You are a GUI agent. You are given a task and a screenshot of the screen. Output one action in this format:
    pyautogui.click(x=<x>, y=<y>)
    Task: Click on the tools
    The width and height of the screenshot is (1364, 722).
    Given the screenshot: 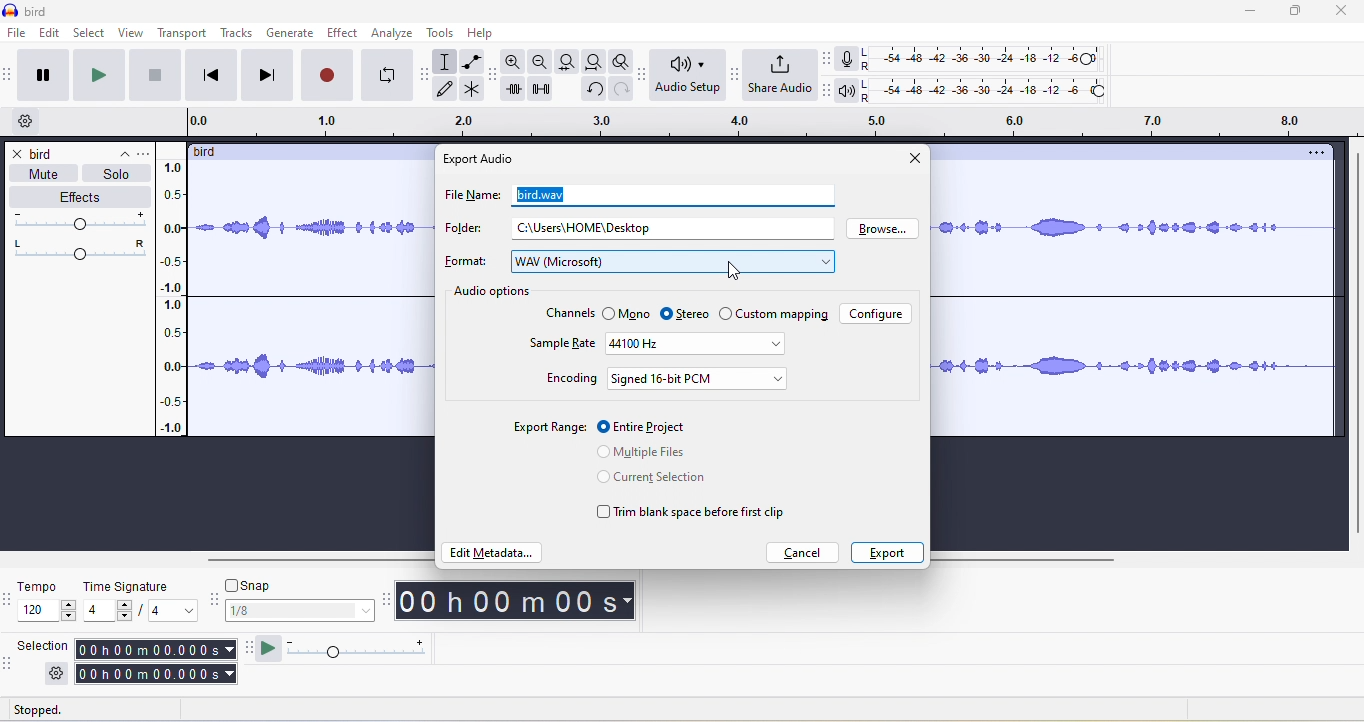 What is the action you would take?
    pyautogui.click(x=444, y=35)
    